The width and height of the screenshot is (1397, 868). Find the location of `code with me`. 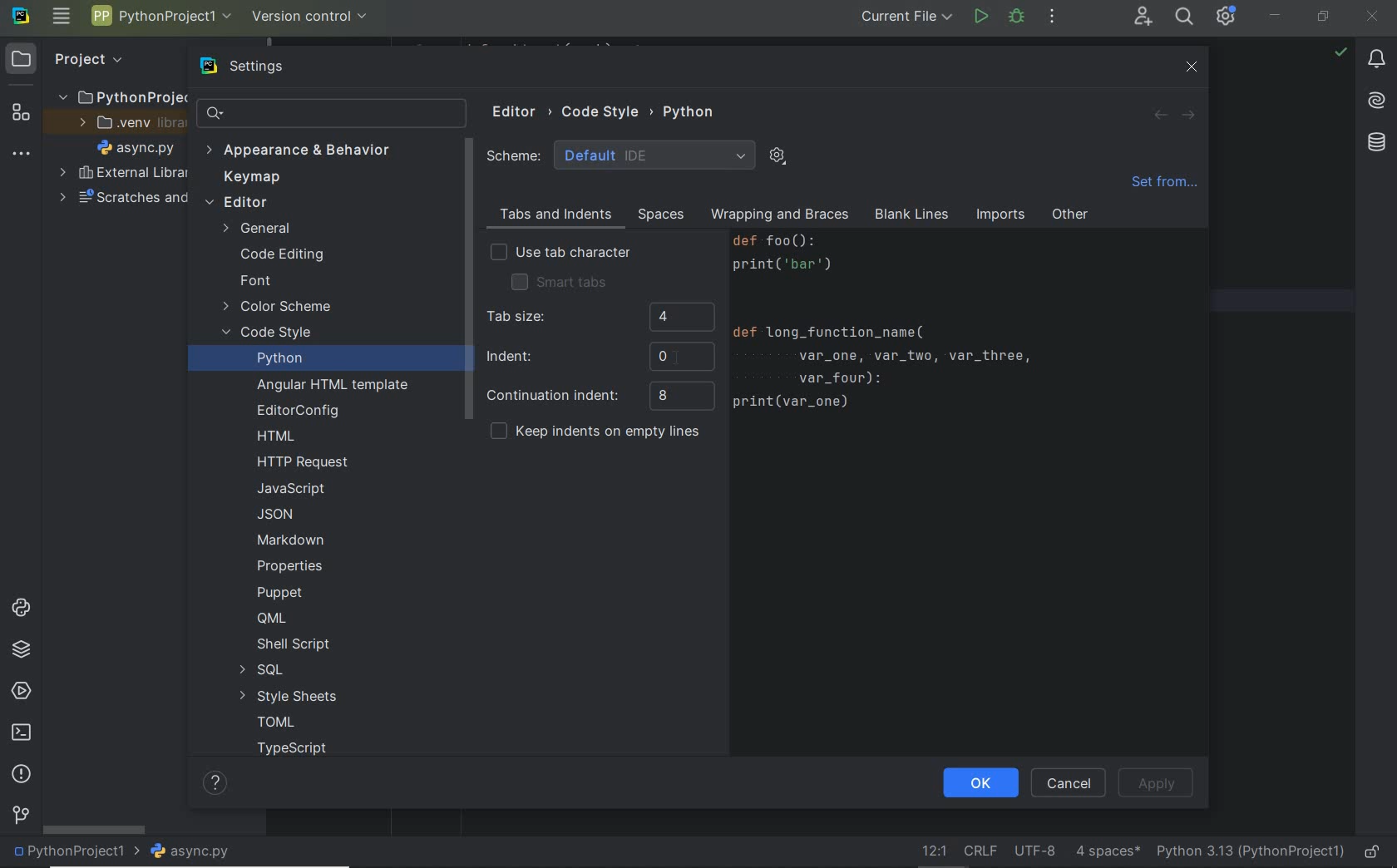

code with me is located at coordinates (1143, 19).